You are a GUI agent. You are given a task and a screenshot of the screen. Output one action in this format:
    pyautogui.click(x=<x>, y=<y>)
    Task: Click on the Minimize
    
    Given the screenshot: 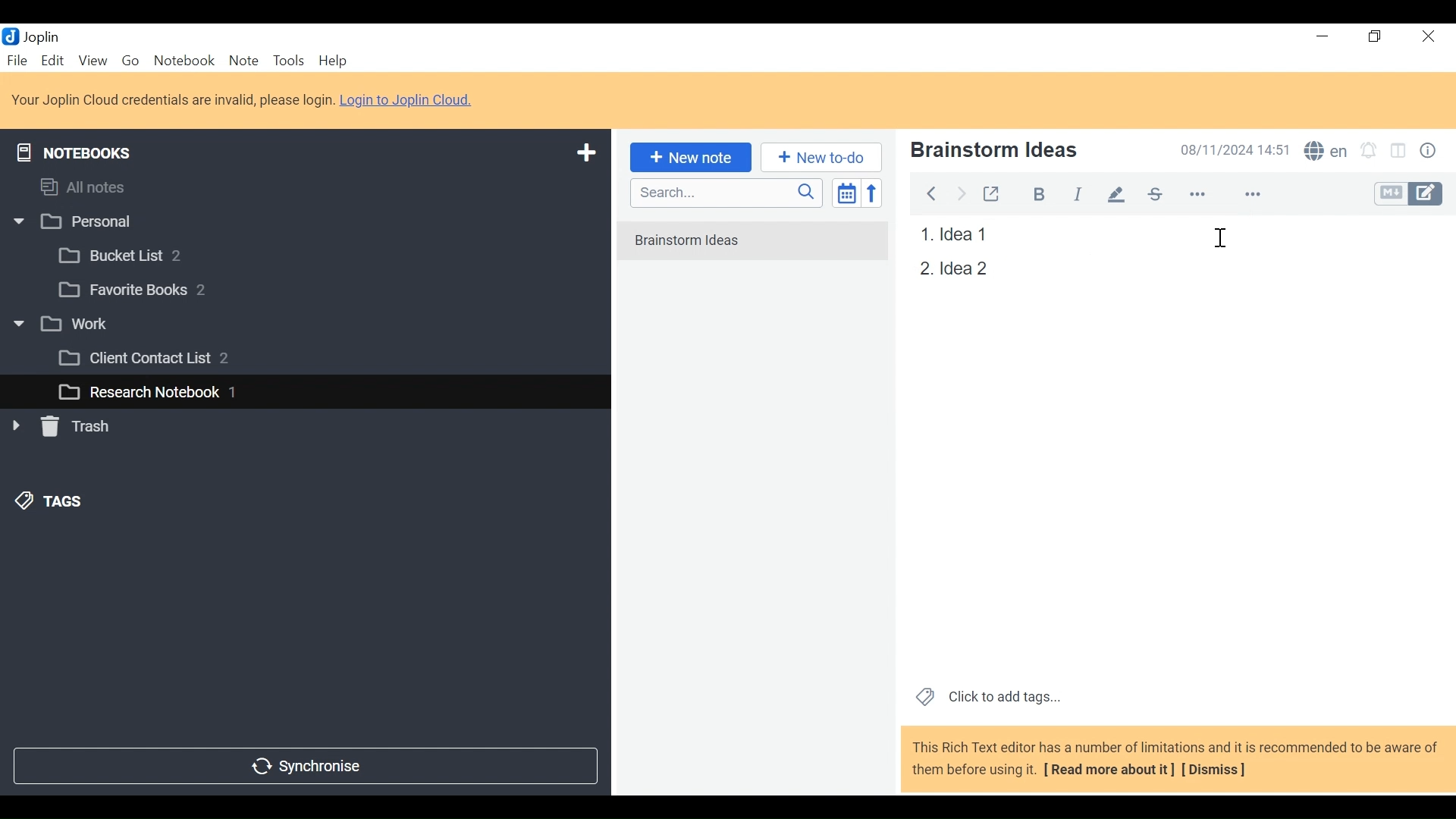 What is the action you would take?
    pyautogui.click(x=1321, y=36)
    